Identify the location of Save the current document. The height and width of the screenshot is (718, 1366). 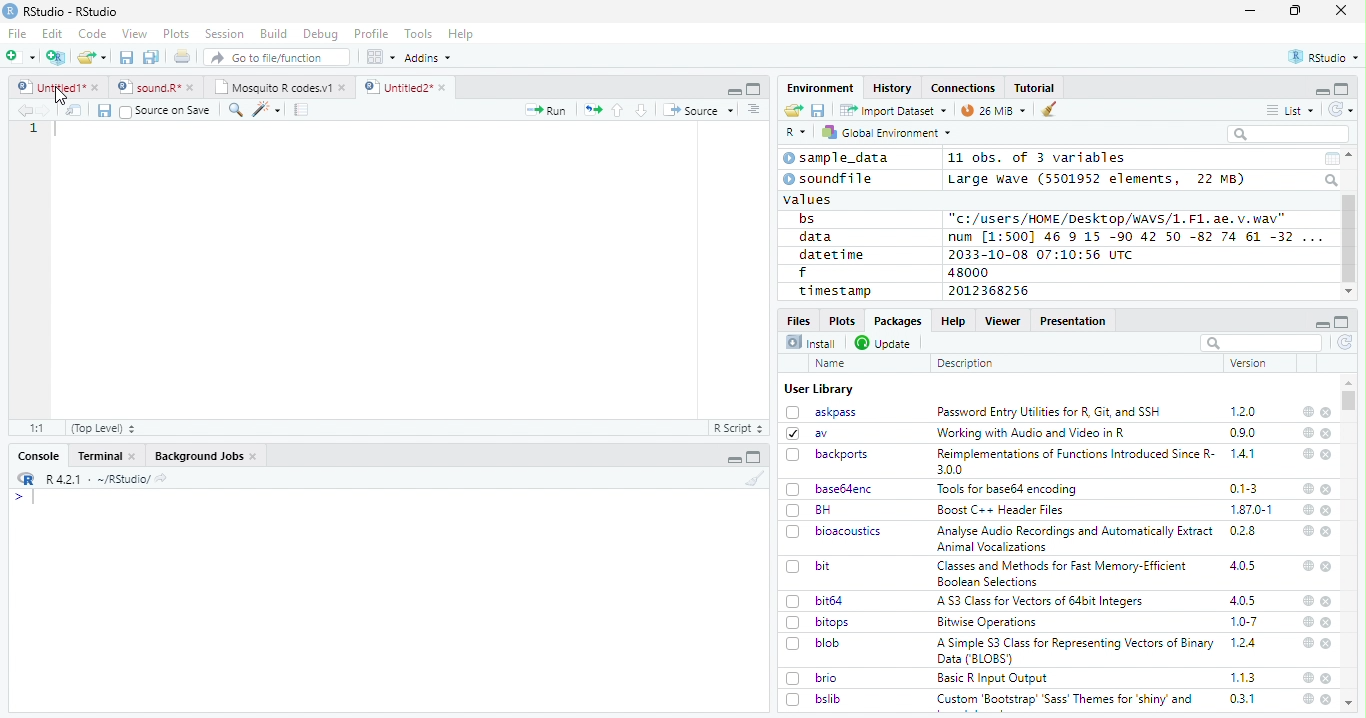
(127, 58).